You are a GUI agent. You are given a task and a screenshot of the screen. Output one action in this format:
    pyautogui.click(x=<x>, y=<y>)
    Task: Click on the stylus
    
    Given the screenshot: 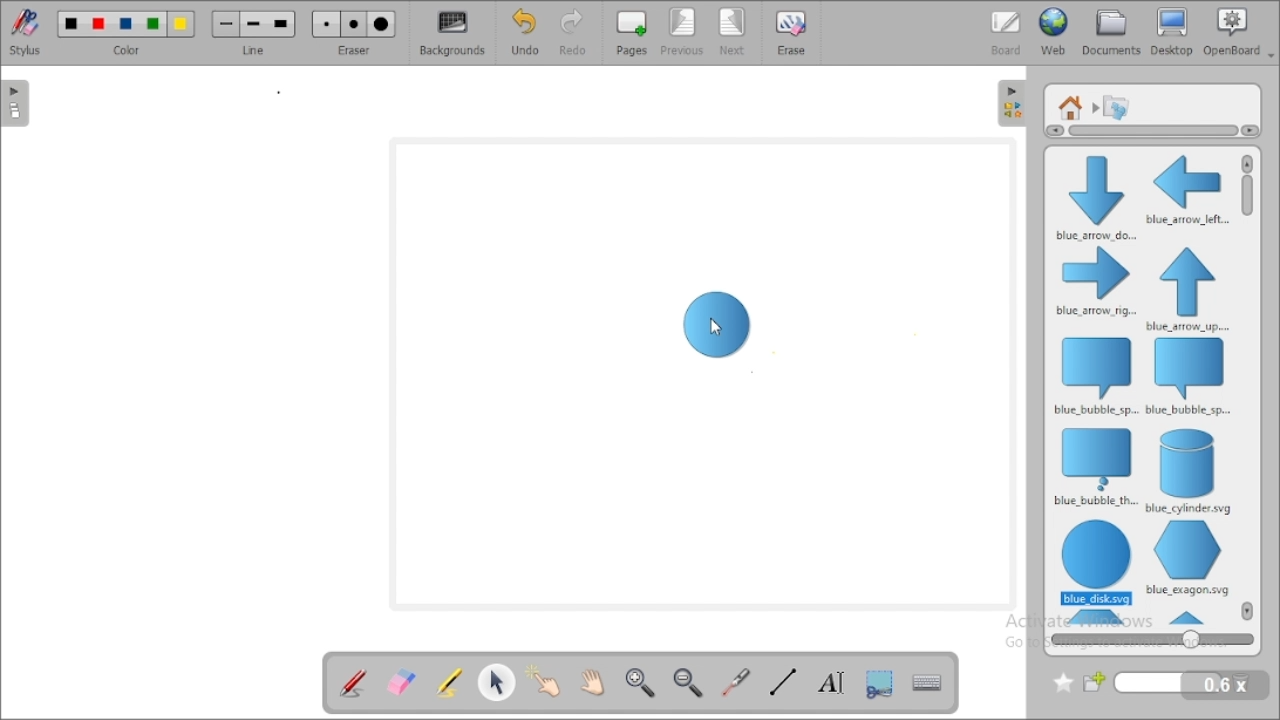 What is the action you would take?
    pyautogui.click(x=25, y=32)
    